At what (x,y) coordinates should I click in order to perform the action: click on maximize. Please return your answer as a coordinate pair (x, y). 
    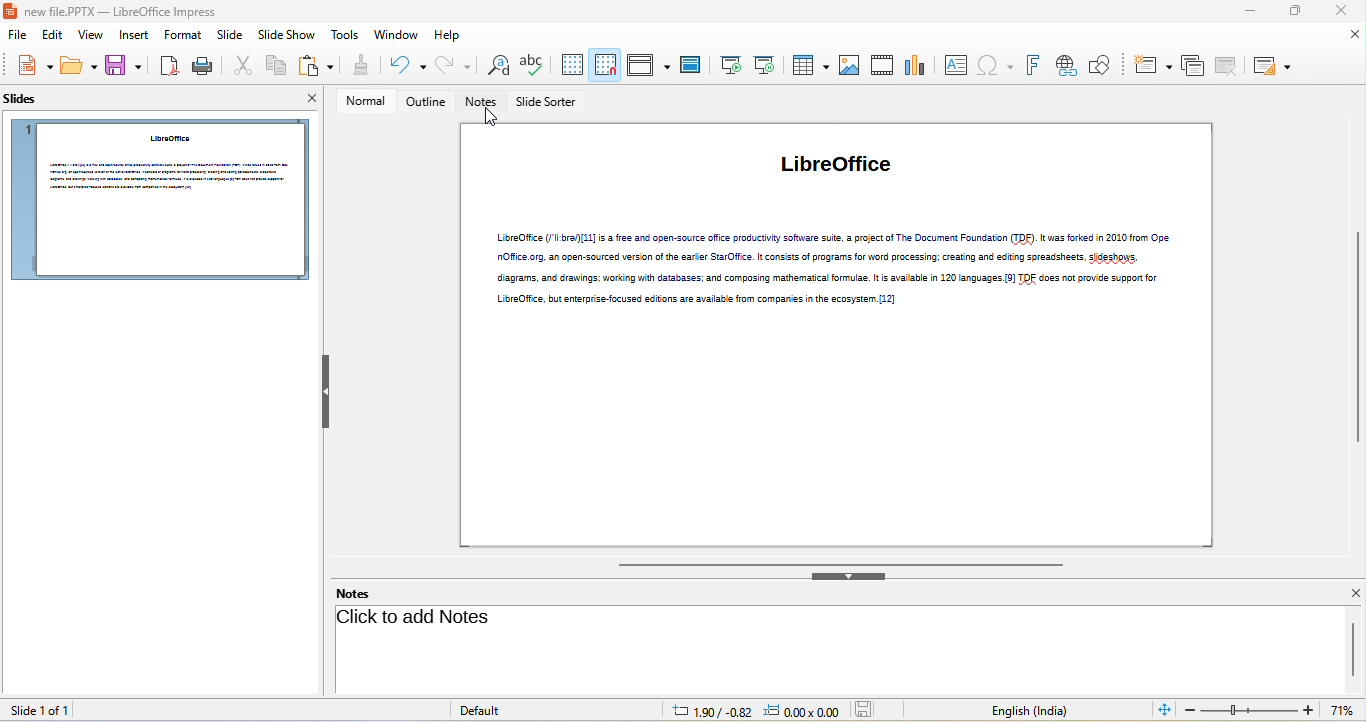
    Looking at the image, I should click on (1293, 12).